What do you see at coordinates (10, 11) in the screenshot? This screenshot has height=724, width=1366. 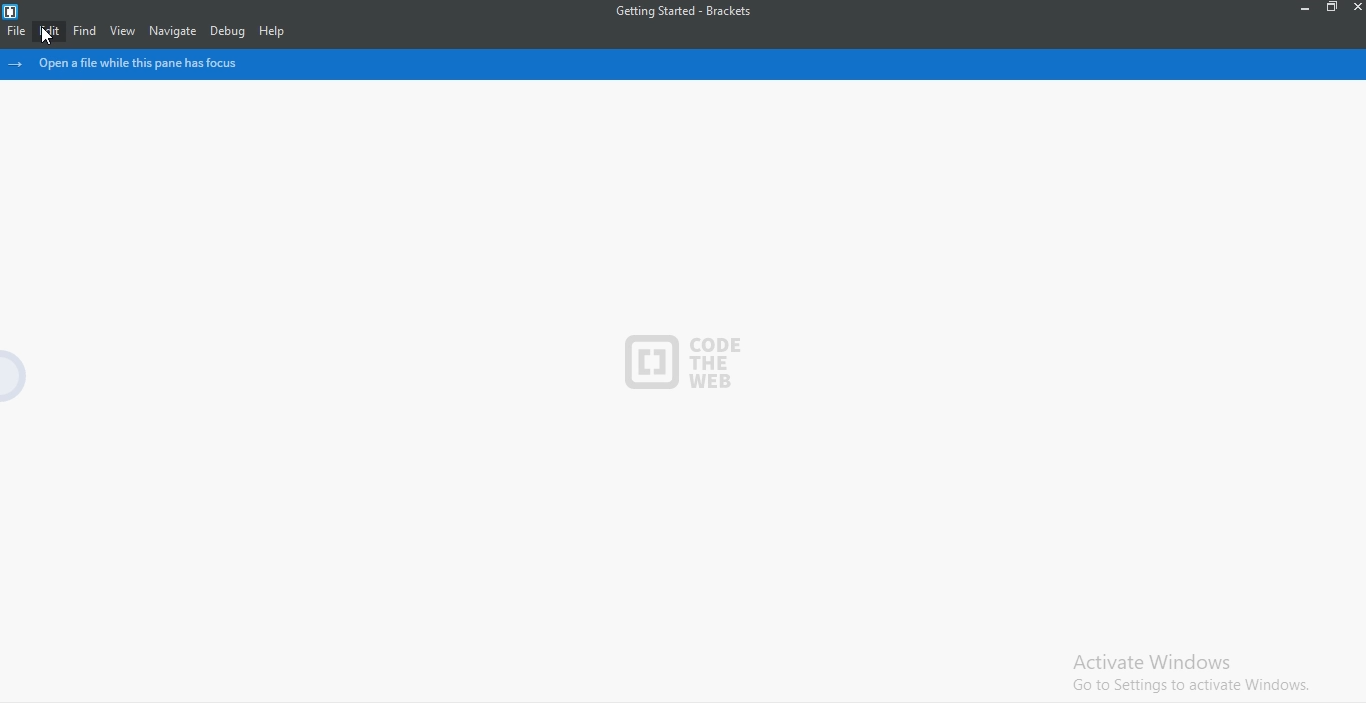 I see `logo` at bounding box center [10, 11].